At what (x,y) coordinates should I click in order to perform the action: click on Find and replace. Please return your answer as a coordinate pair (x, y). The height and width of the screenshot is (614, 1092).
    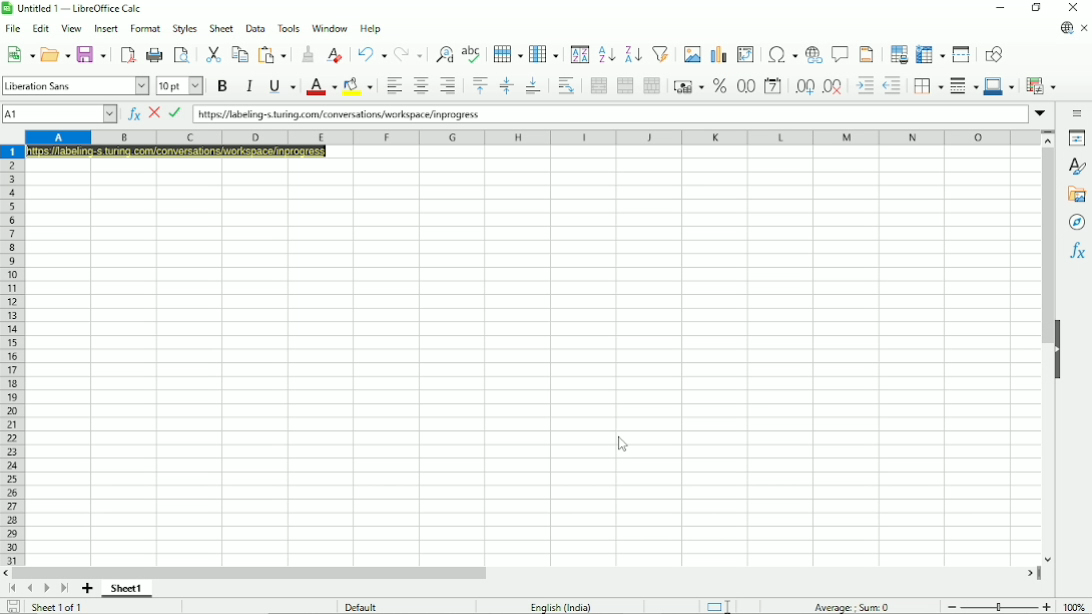
    Looking at the image, I should click on (446, 52).